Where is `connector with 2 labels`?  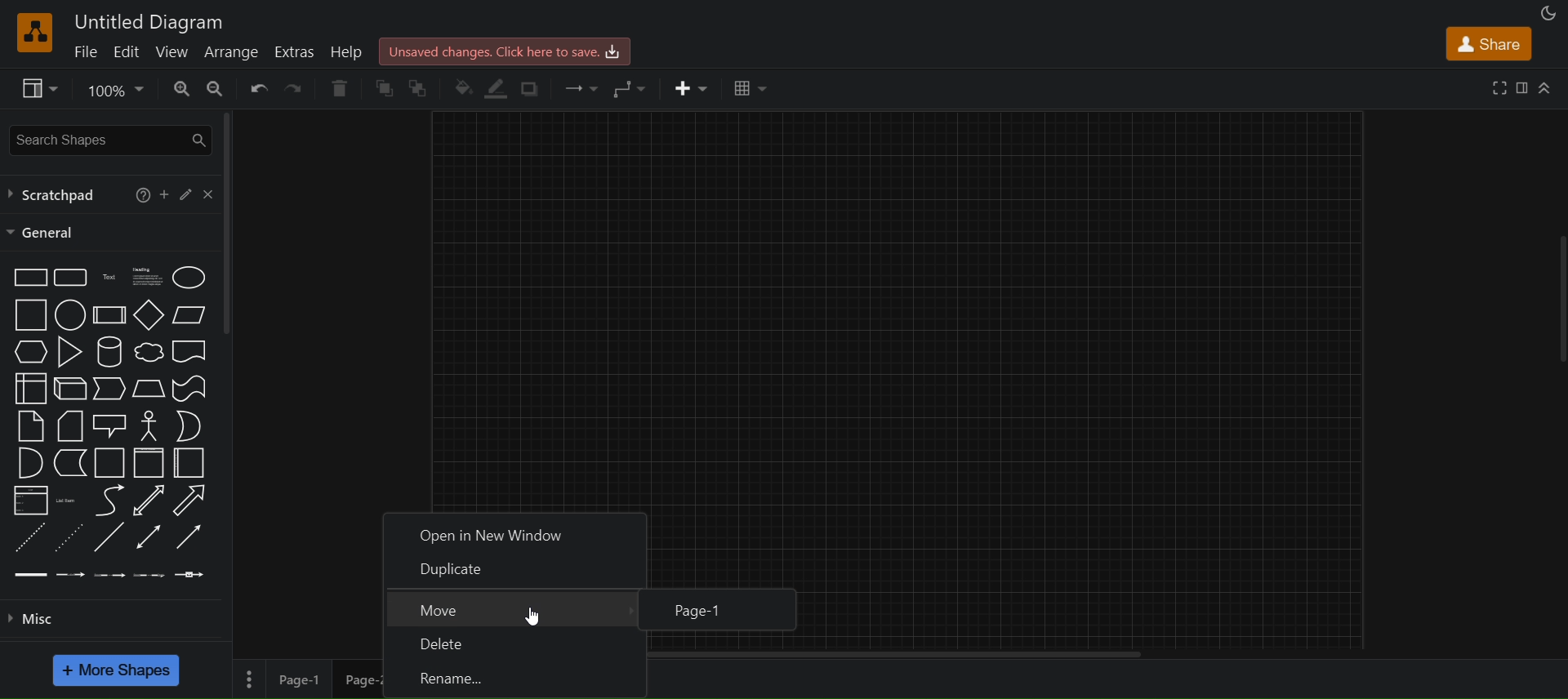
connector with 2 labels is located at coordinates (111, 572).